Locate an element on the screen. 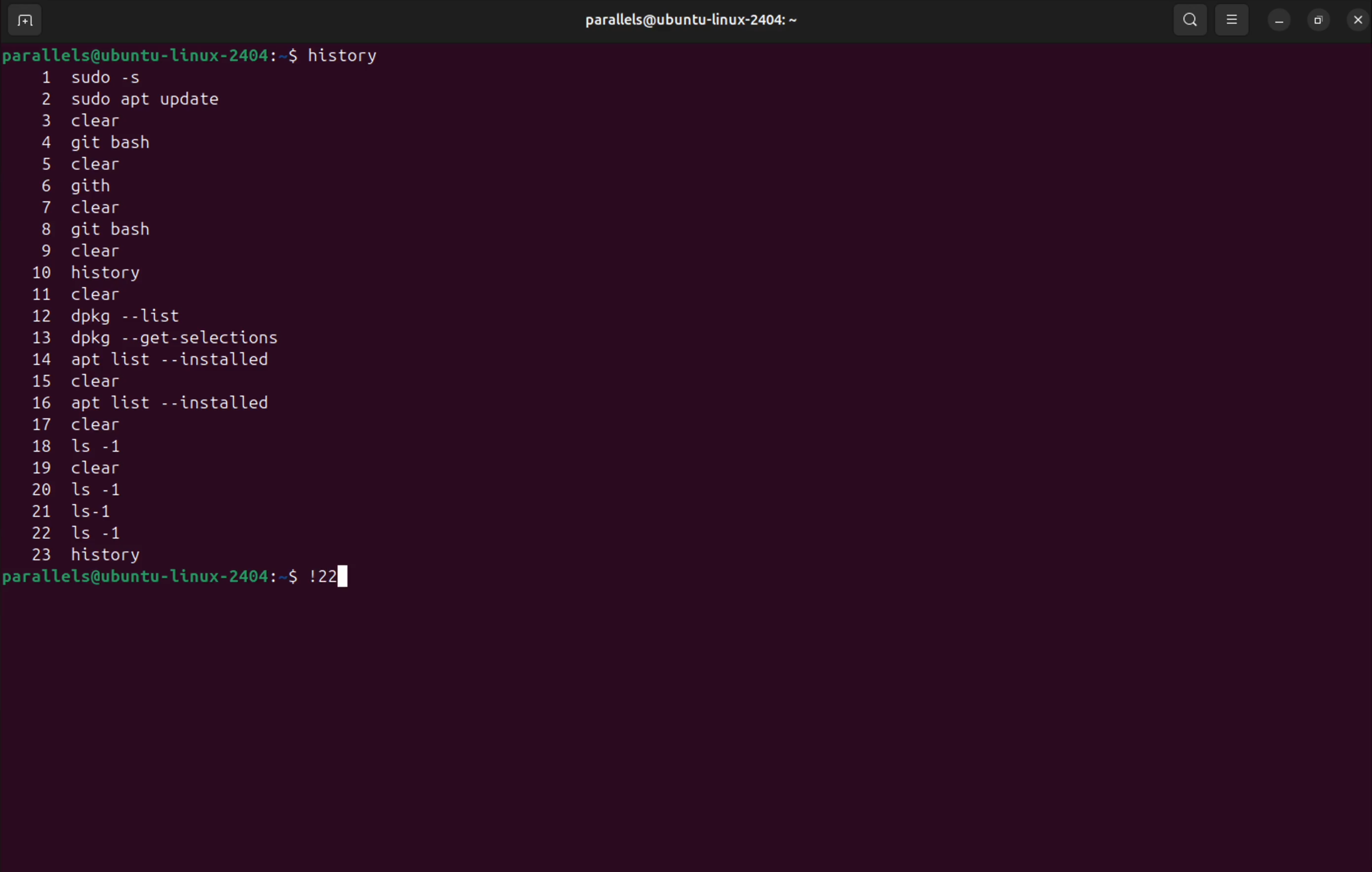 The width and height of the screenshot is (1372, 872). 22 ls -1 is located at coordinates (99, 534).